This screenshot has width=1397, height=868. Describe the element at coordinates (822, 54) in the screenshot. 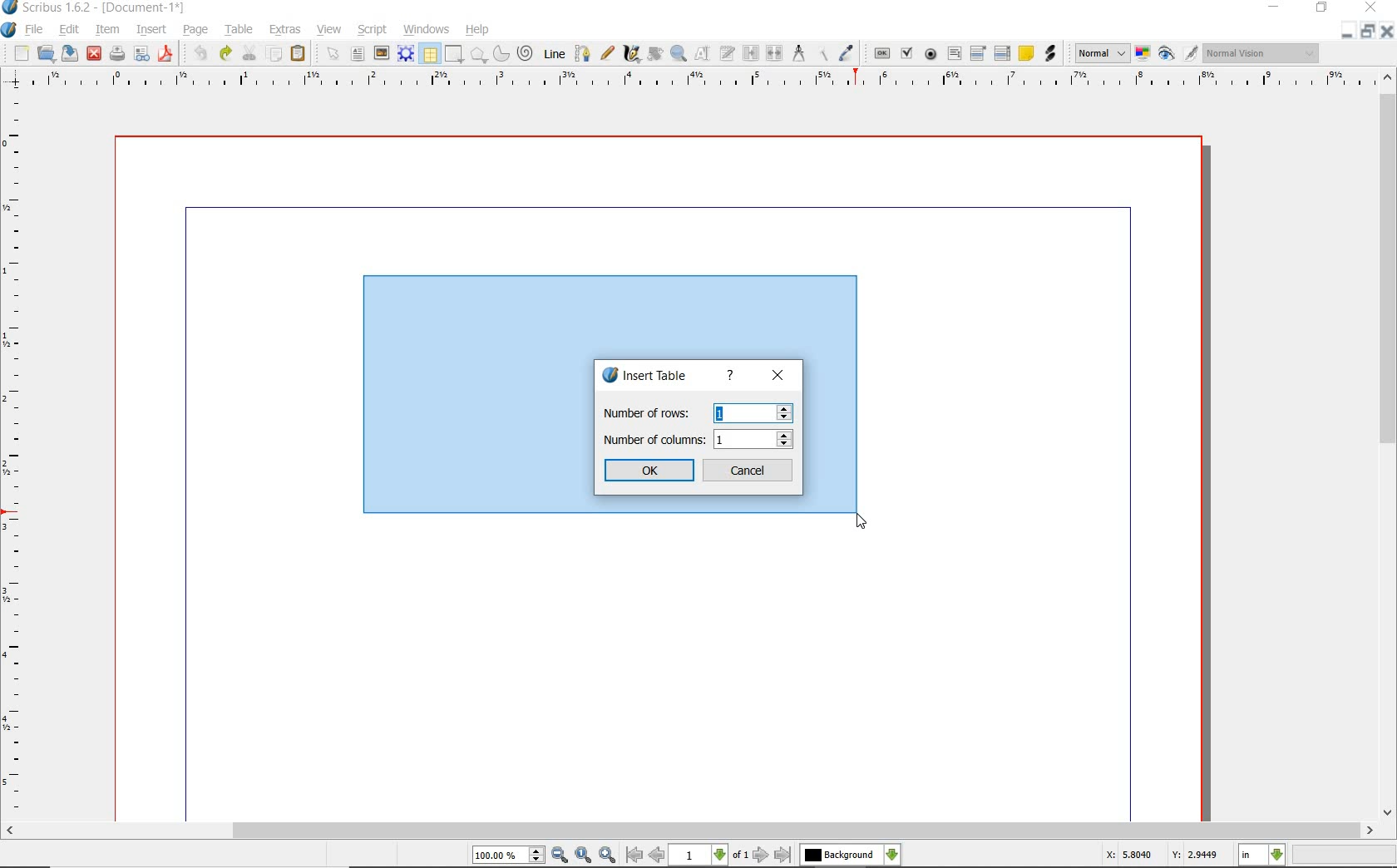

I see `copy item properties` at that location.